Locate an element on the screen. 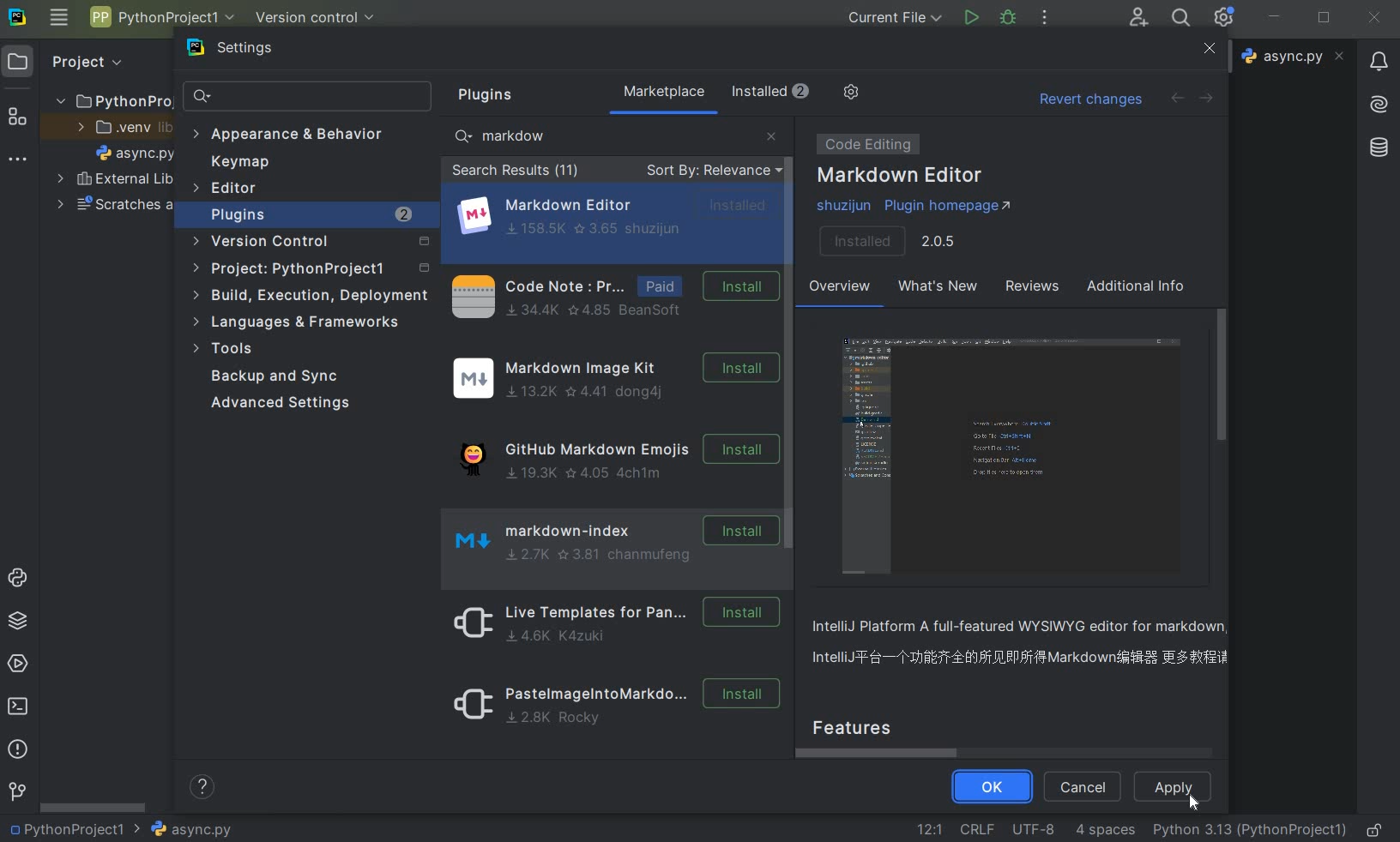  python console is located at coordinates (19, 580).